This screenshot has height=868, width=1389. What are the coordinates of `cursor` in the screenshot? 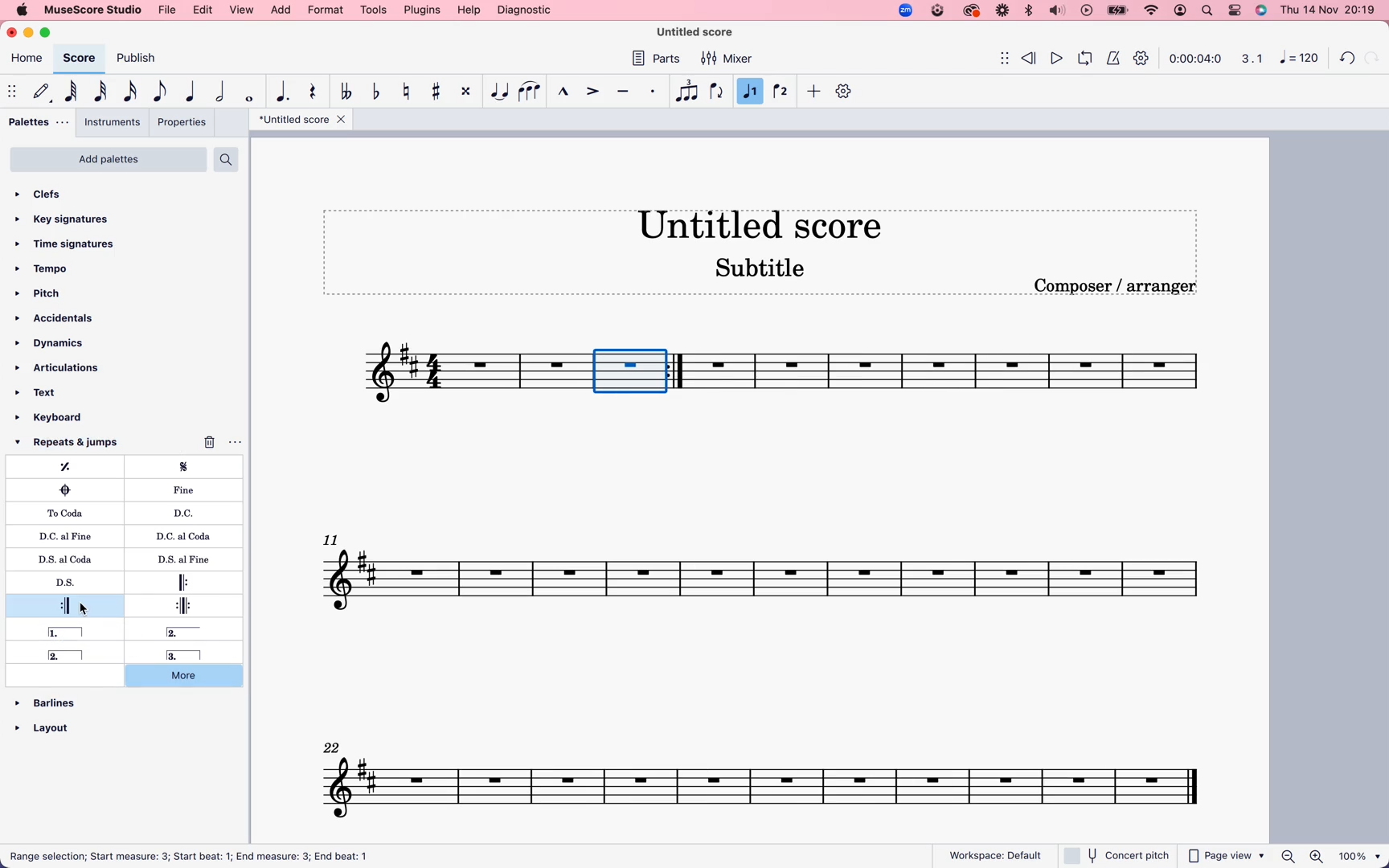 It's located at (86, 608).